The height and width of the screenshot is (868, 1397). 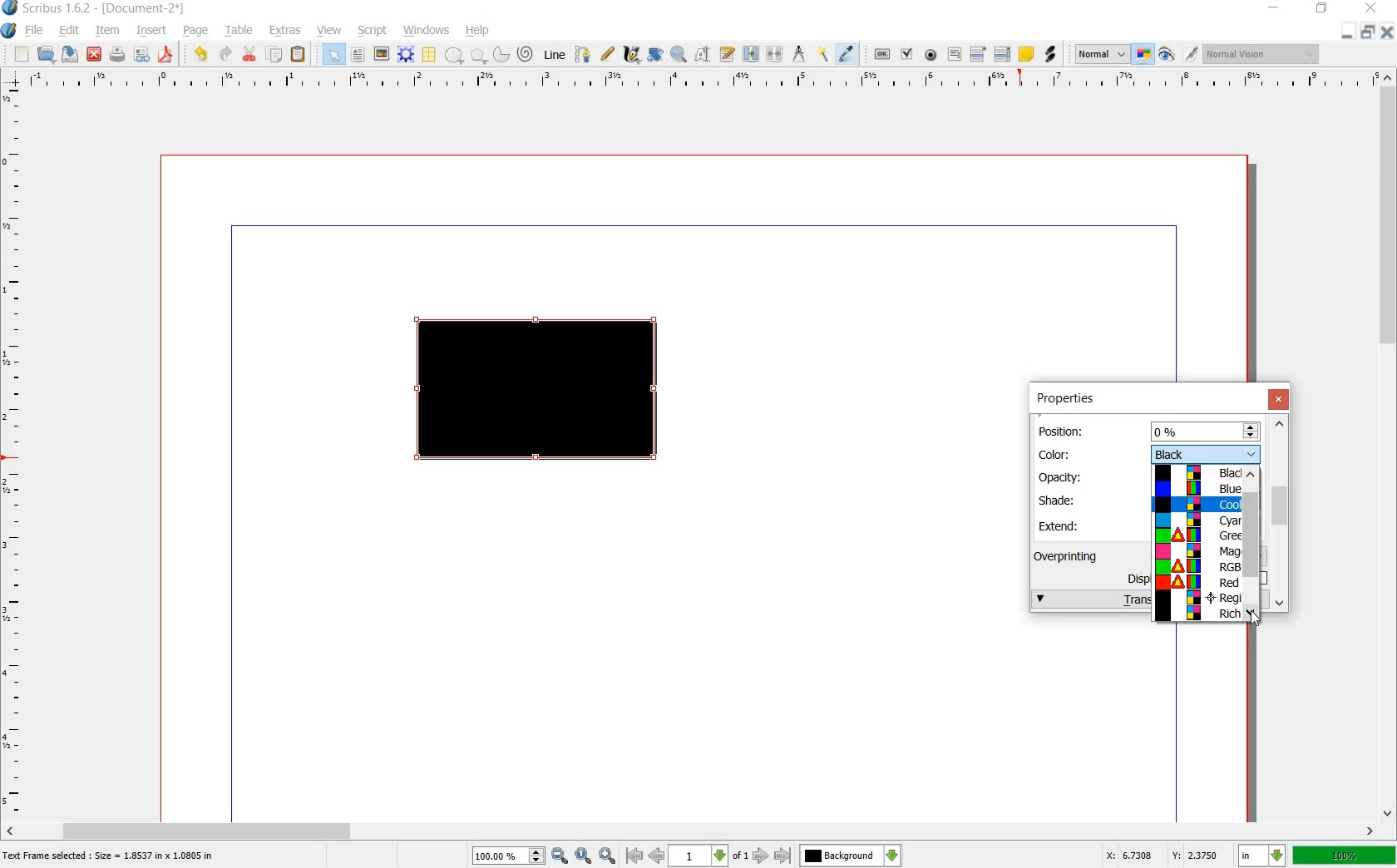 What do you see at coordinates (631, 53) in the screenshot?
I see `calligraphic line` at bounding box center [631, 53].